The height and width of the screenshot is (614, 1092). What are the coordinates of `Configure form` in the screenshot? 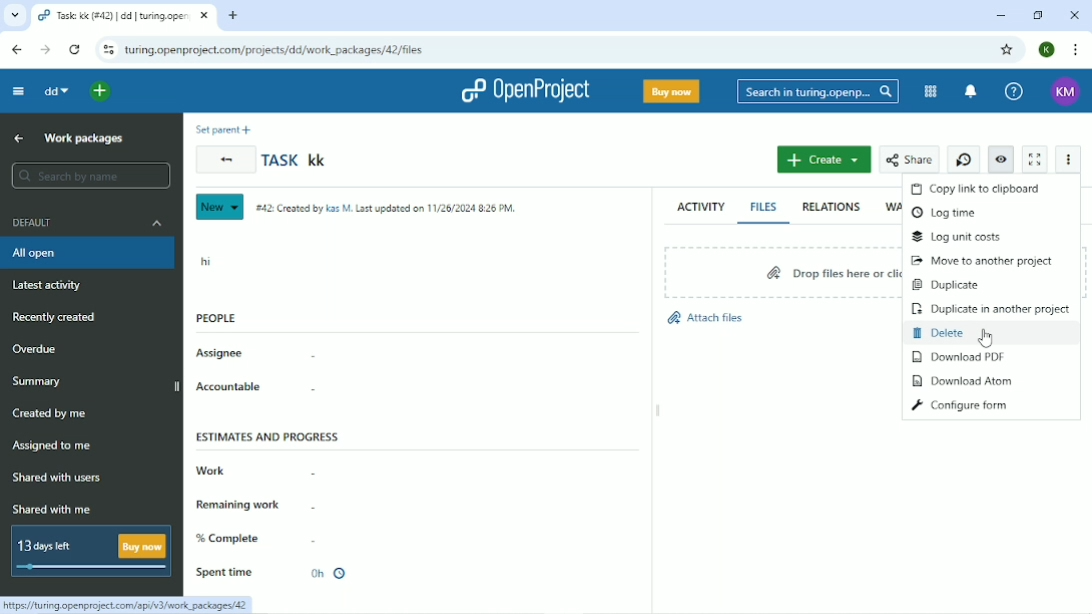 It's located at (961, 406).